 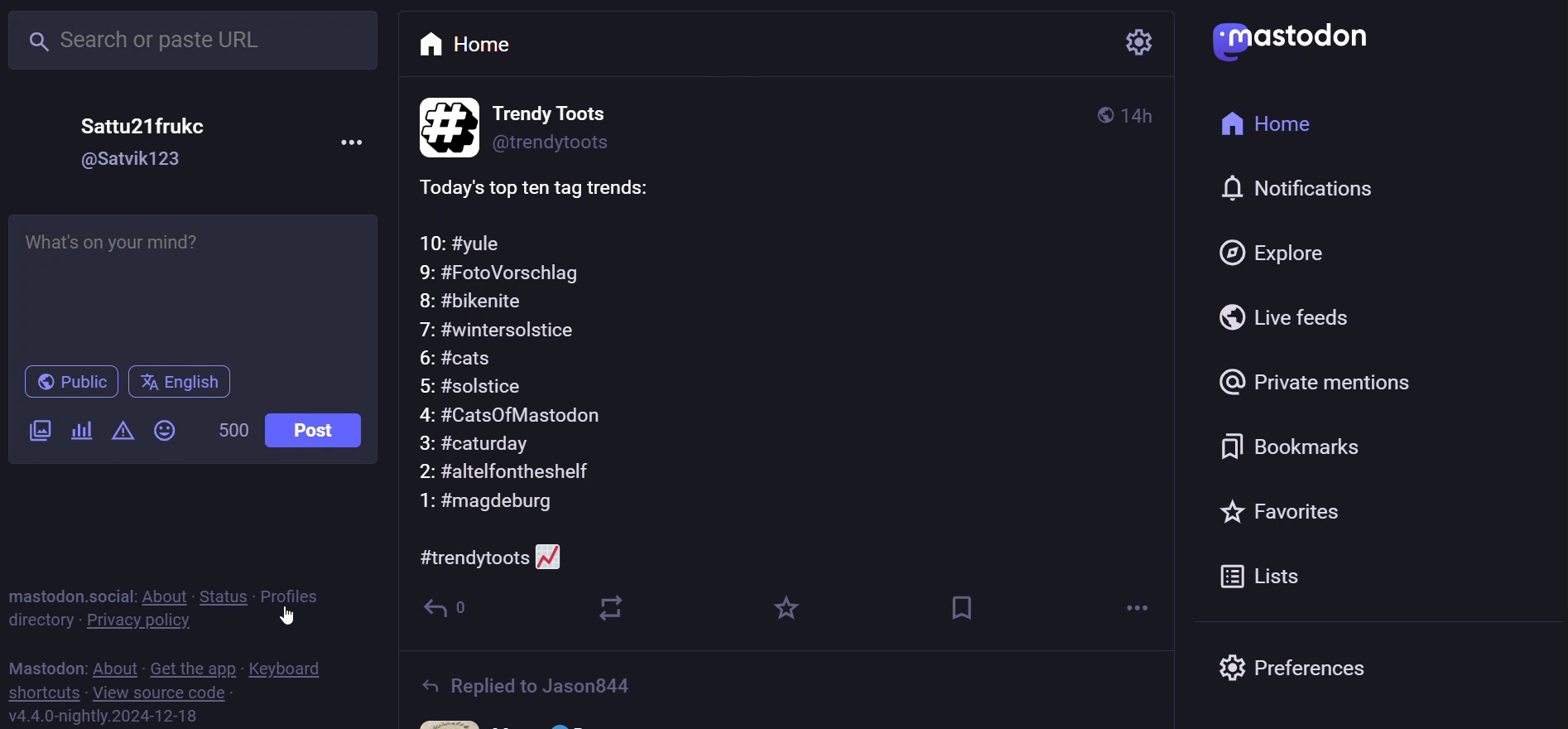 What do you see at coordinates (452, 611) in the screenshot?
I see `reply` at bounding box center [452, 611].